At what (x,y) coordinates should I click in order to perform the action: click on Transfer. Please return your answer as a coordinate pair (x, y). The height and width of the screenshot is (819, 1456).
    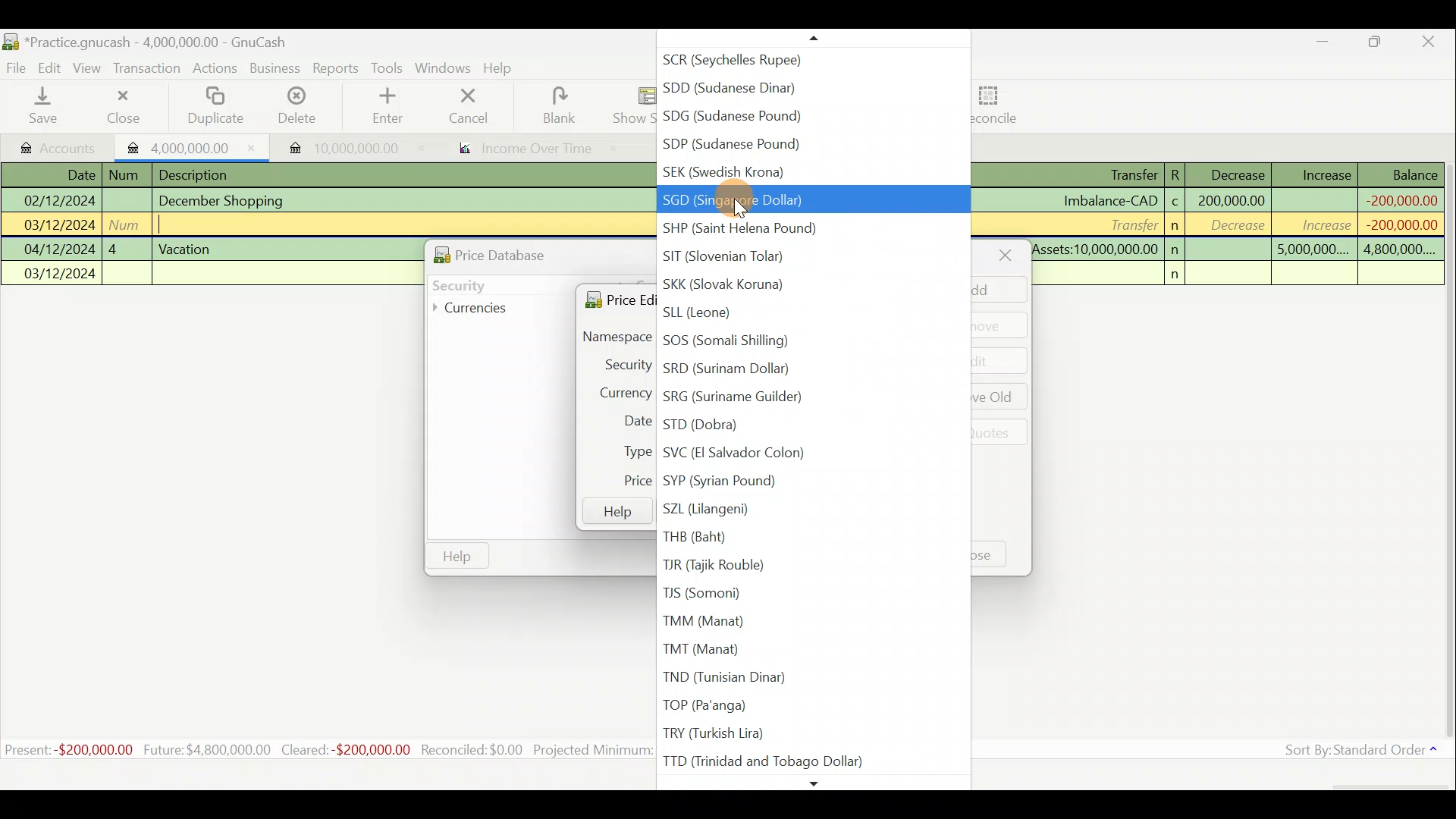
    Looking at the image, I should click on (1119, 176).